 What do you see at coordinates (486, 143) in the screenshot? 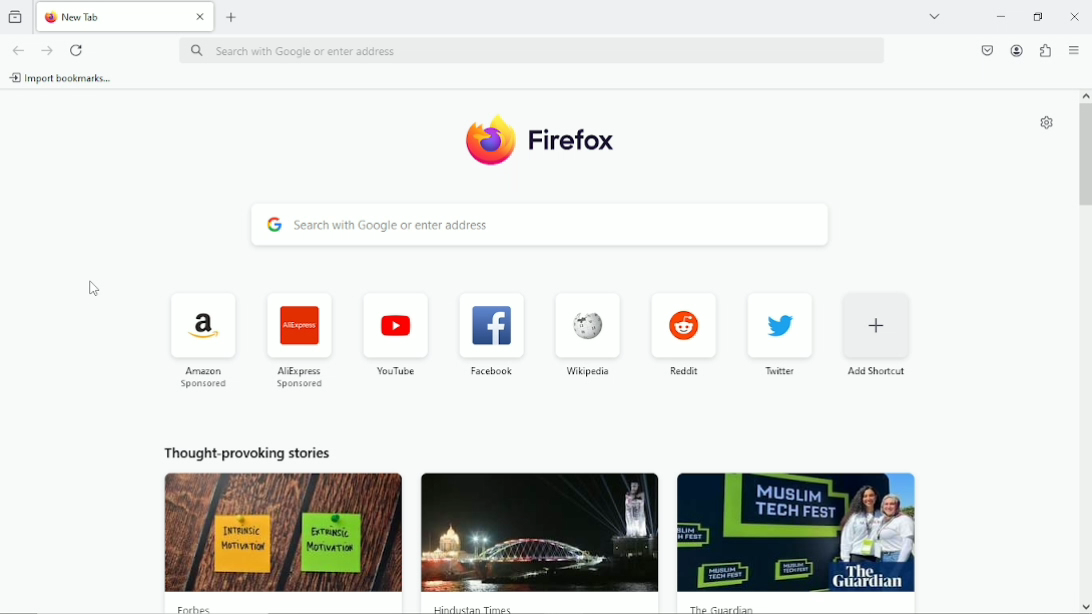
I see `Firefox logo` at bounding box center [486, 143].